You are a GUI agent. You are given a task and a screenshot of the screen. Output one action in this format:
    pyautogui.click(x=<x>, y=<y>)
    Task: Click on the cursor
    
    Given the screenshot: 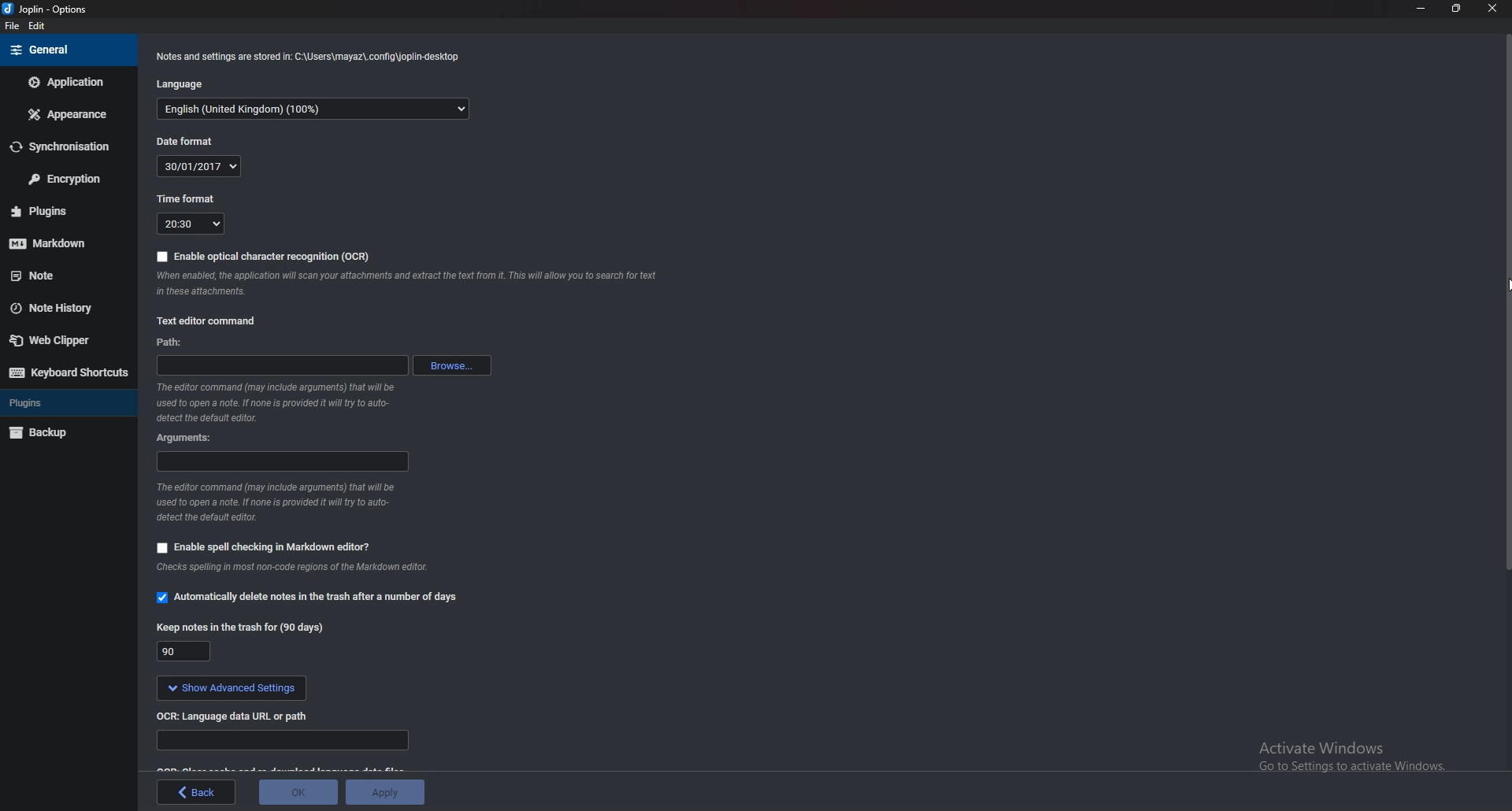 What is the action you would take?
    pyautogui.click(x=1503, y=287)
    